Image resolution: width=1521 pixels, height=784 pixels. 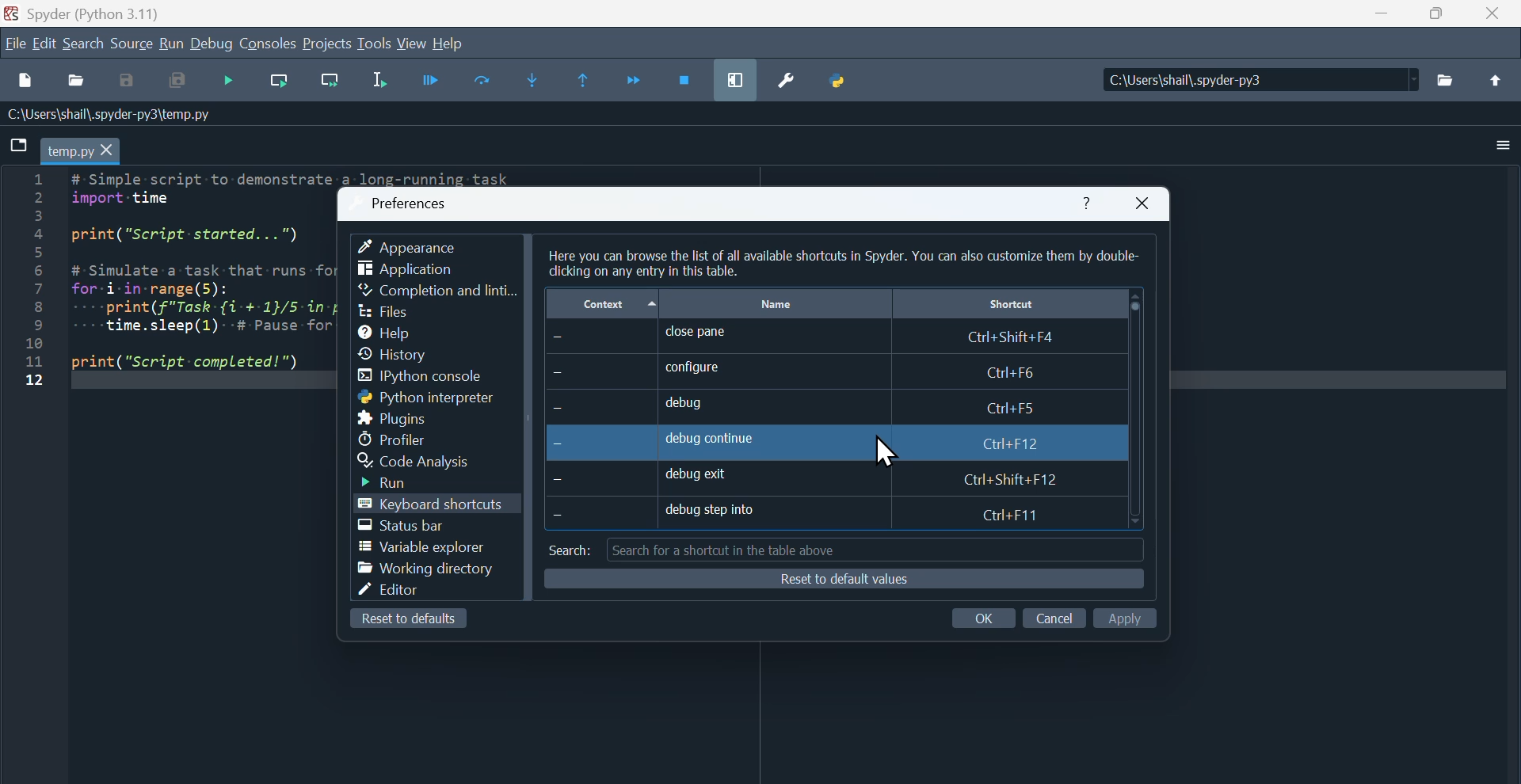 I want to click on Name, so click(x=778, y=302).